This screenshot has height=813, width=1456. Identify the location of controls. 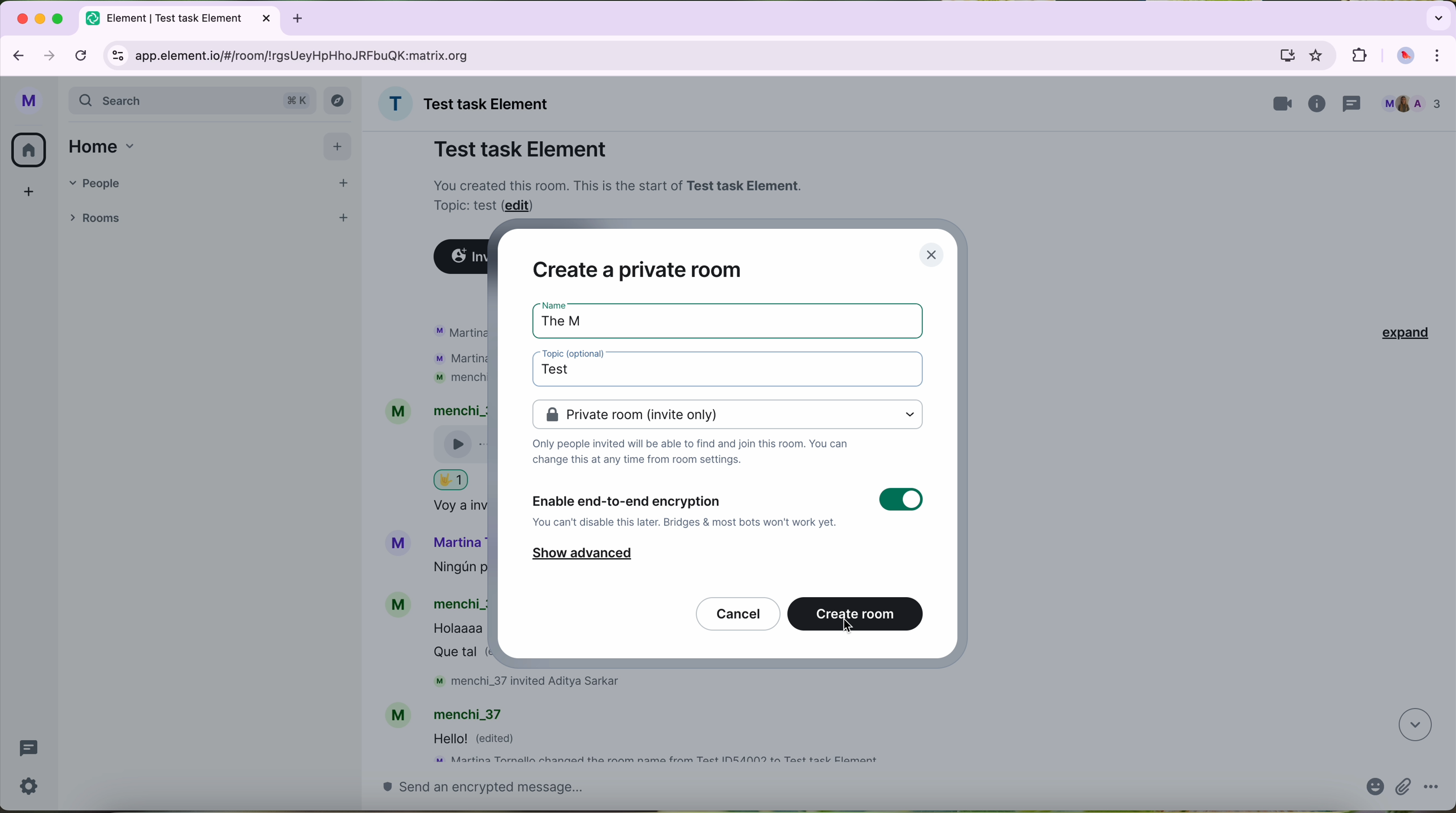
(118, 57).